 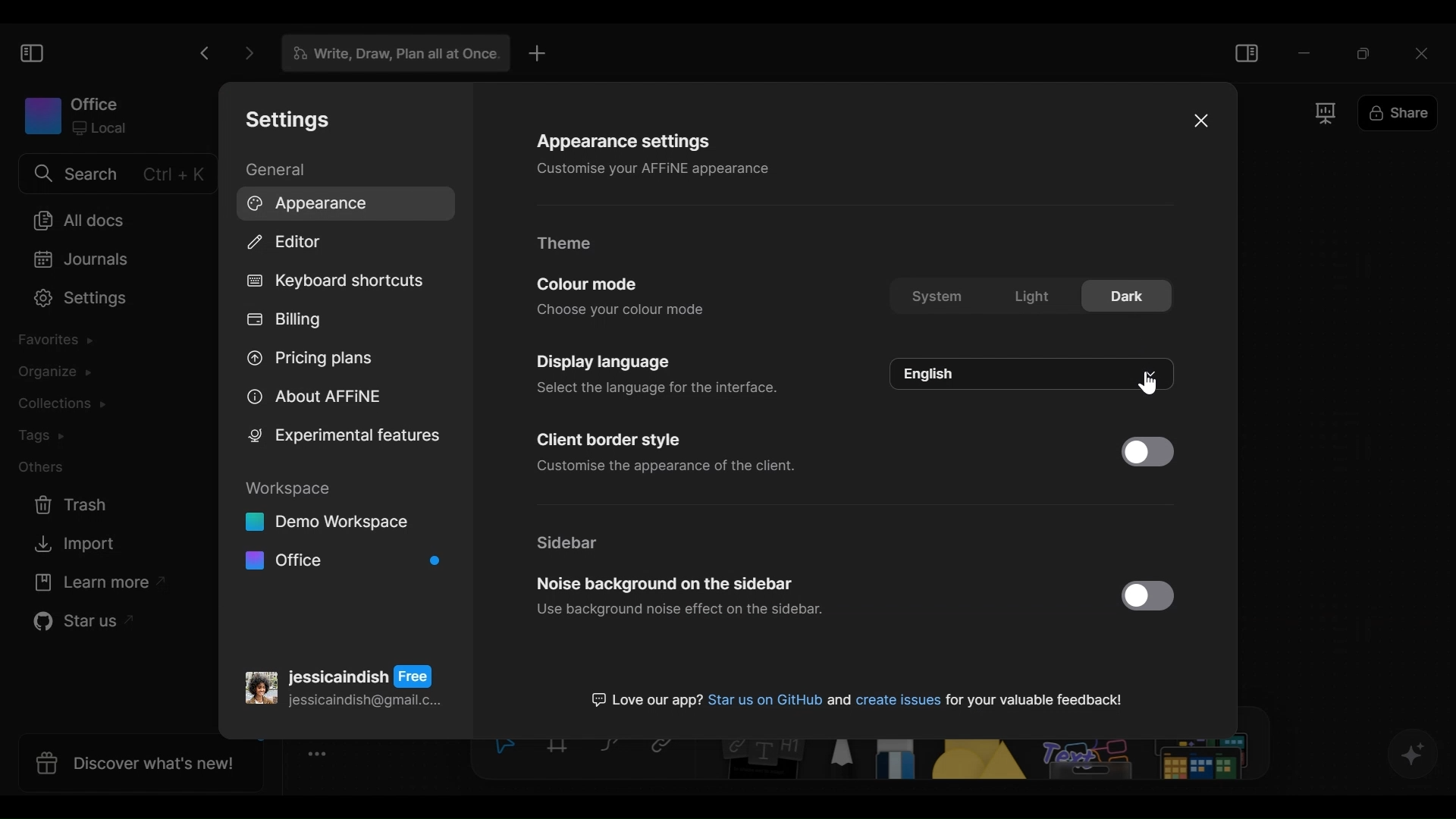 What do you see at coordinates (899, 761) in the screenshot?
I see `Eraser` at bounding box center [899, 761].